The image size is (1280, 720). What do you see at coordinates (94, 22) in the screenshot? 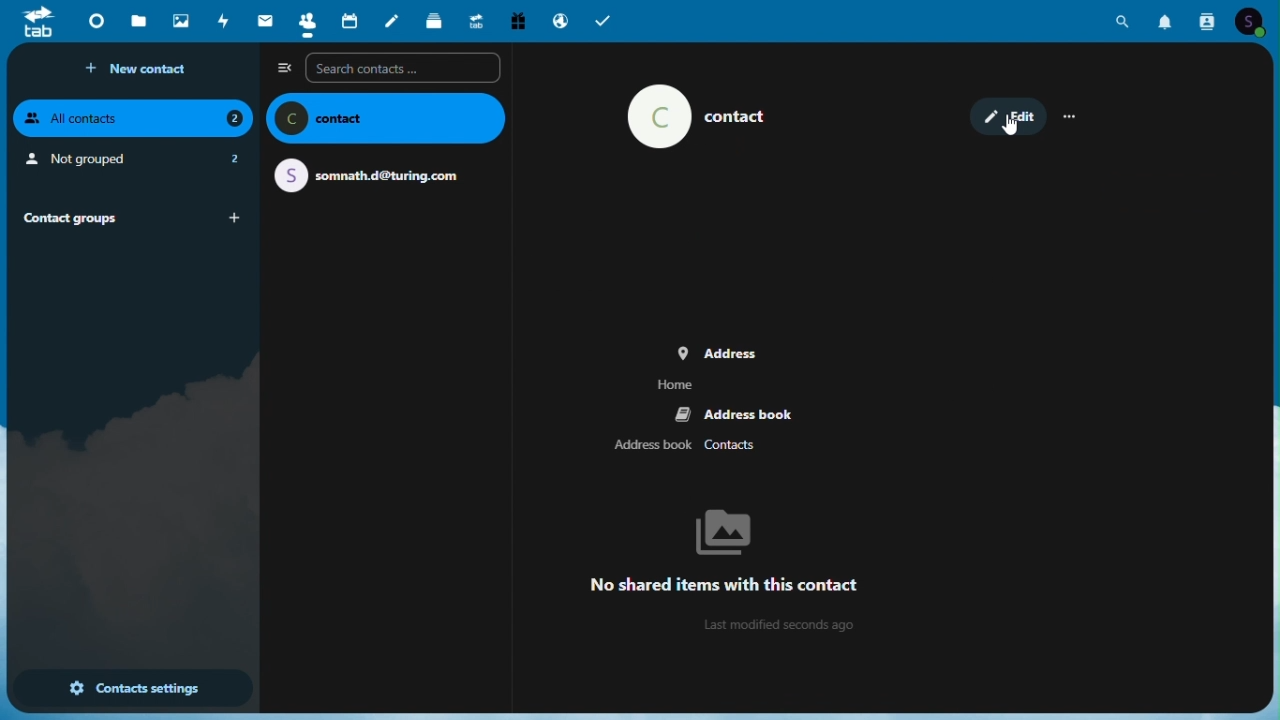
I see `Dashboard` at bounding box center [94, 22].